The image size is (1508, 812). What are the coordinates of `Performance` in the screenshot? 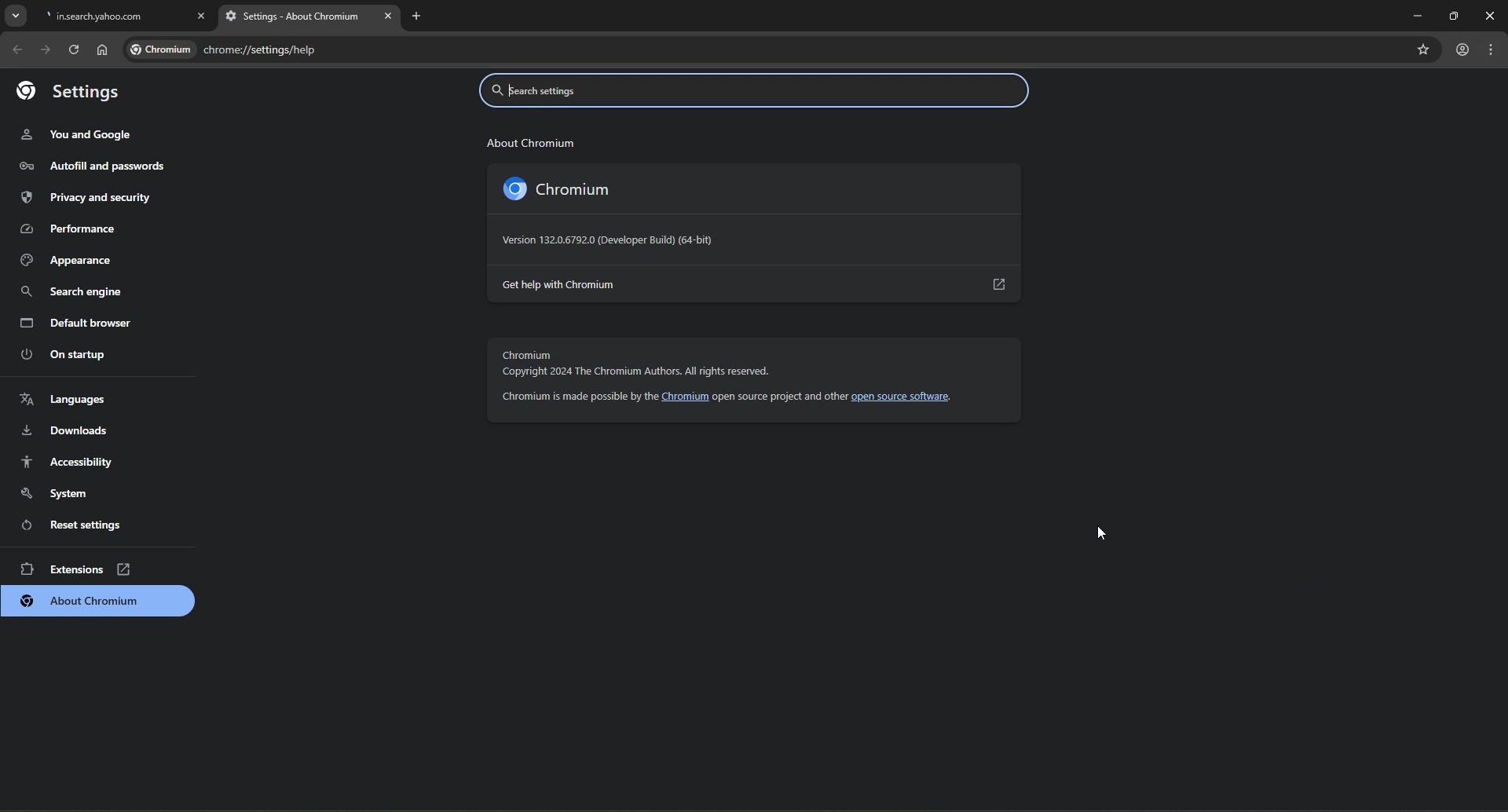 It's located at (85, 228).